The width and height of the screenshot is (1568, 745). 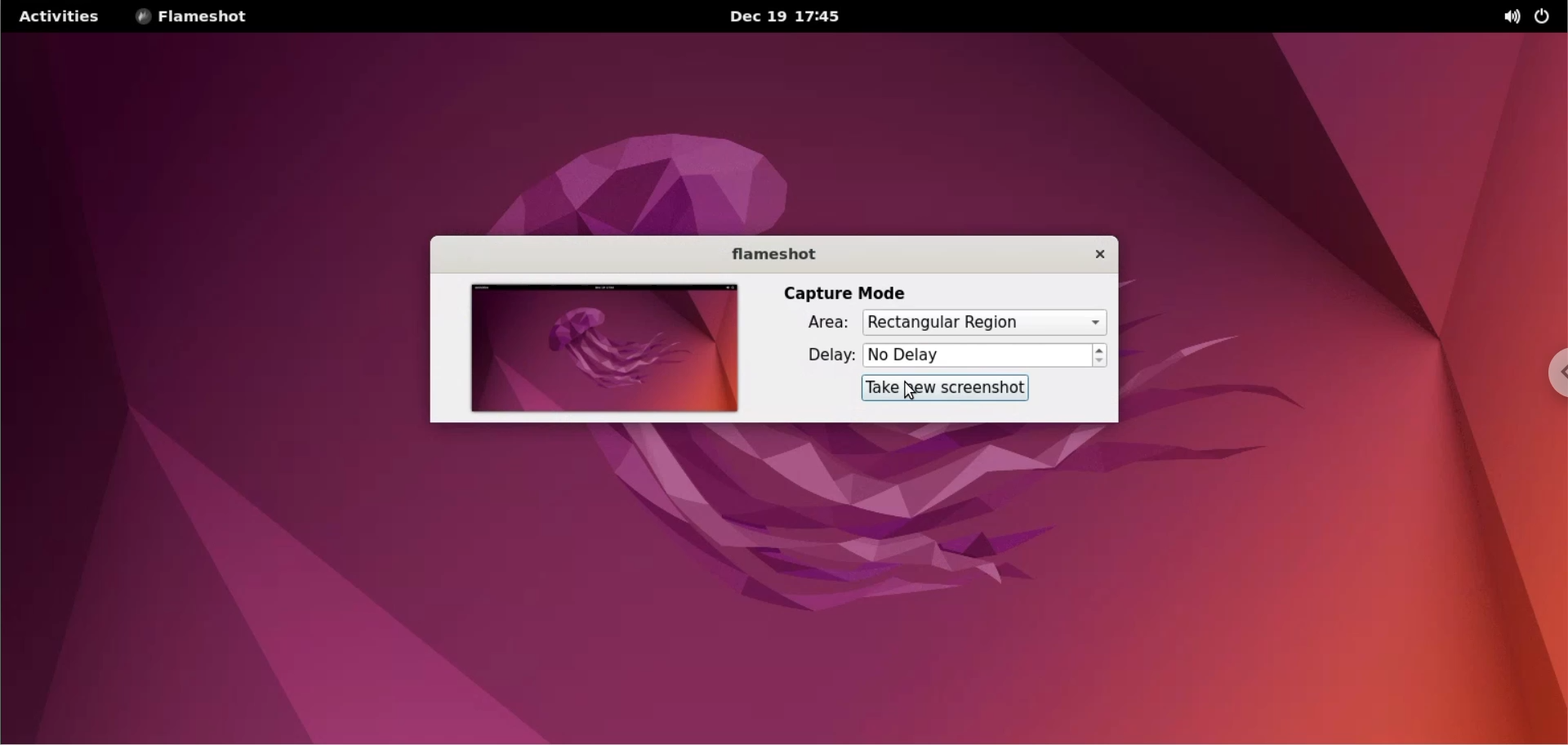 I want to click on increment and decrement delay, so click(x=1101, y=354).